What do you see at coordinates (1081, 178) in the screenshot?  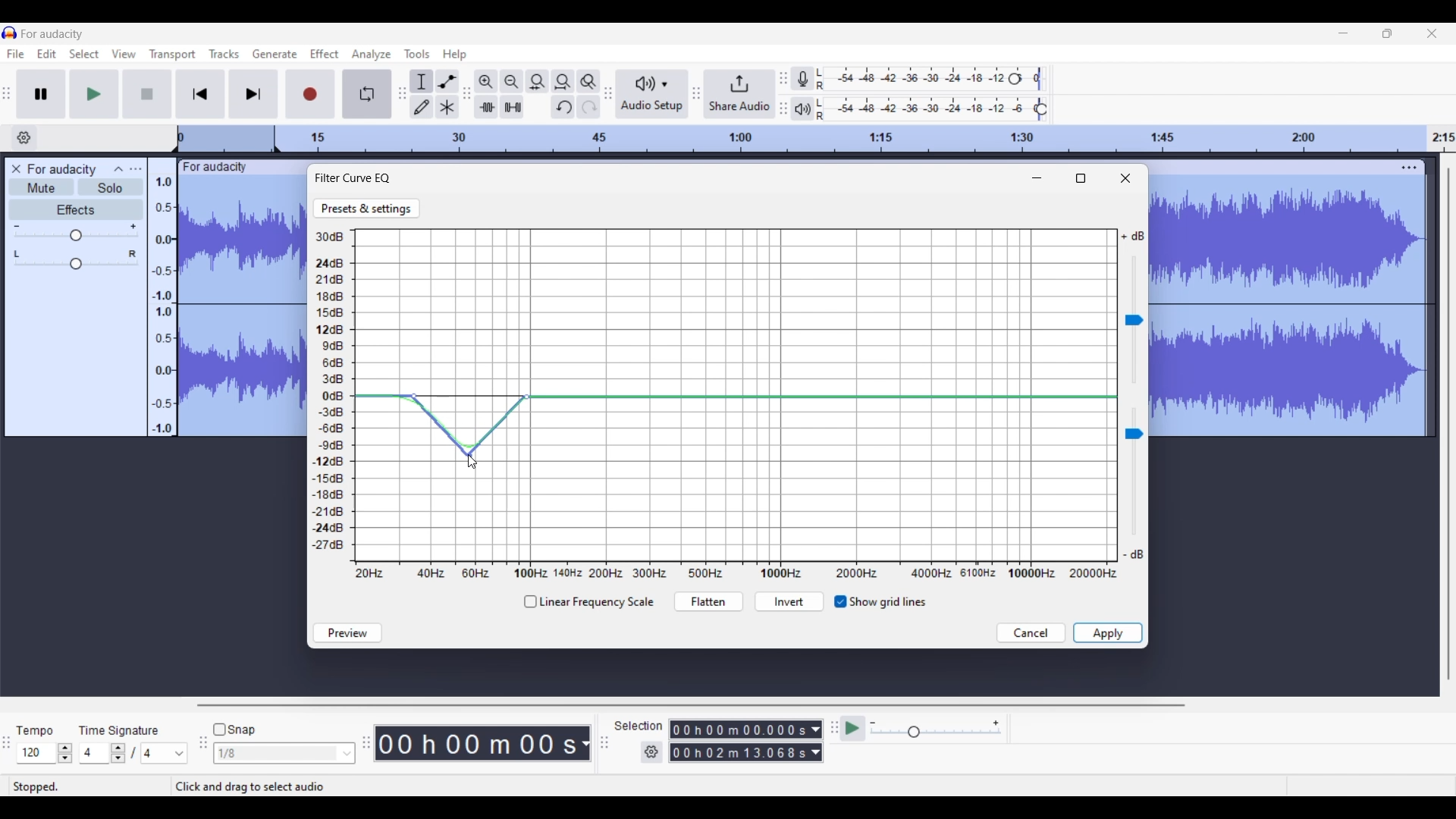 I see `Fullscreen` at bounding box center [1081, 178].